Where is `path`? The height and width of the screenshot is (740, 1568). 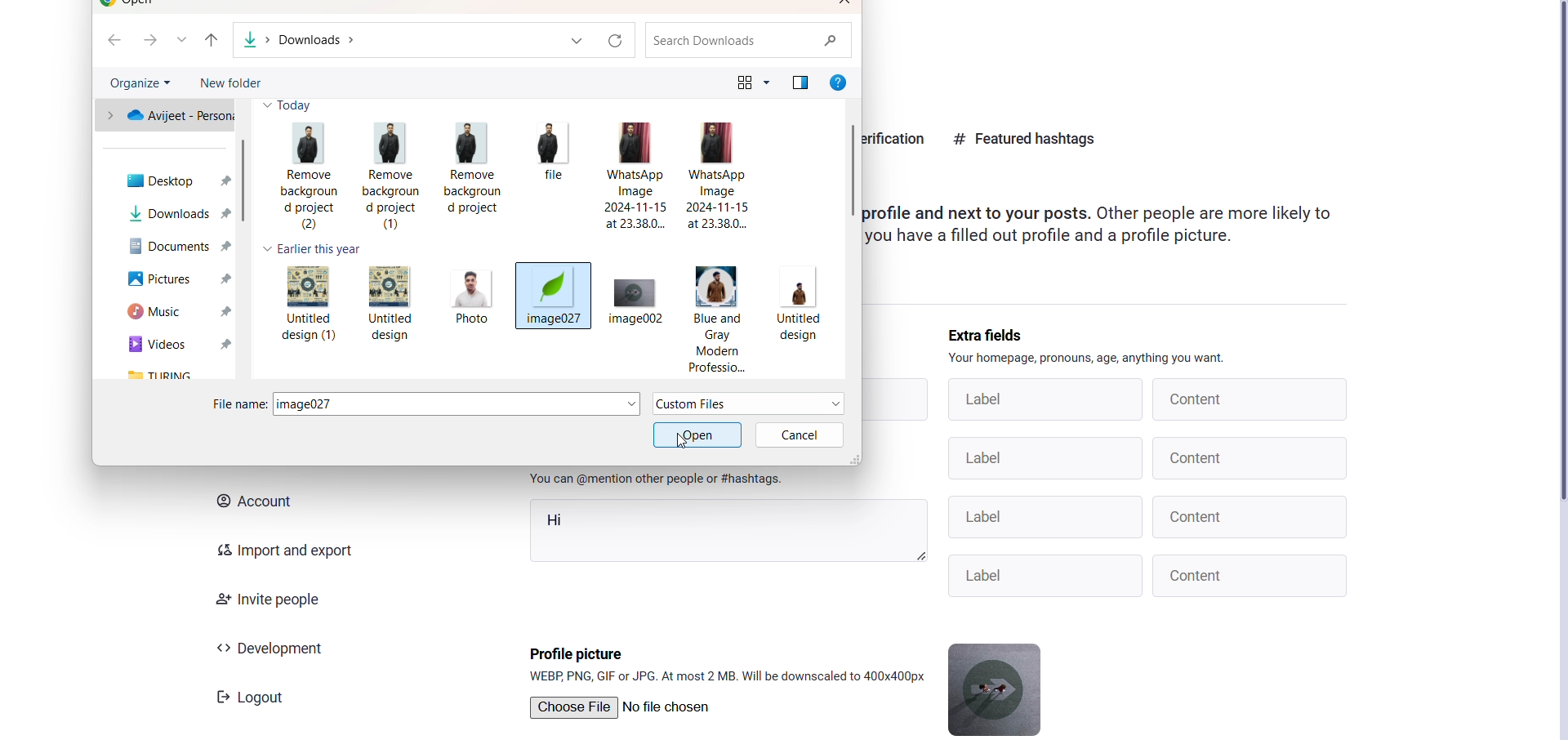
path is located at coordinates (312, 39).